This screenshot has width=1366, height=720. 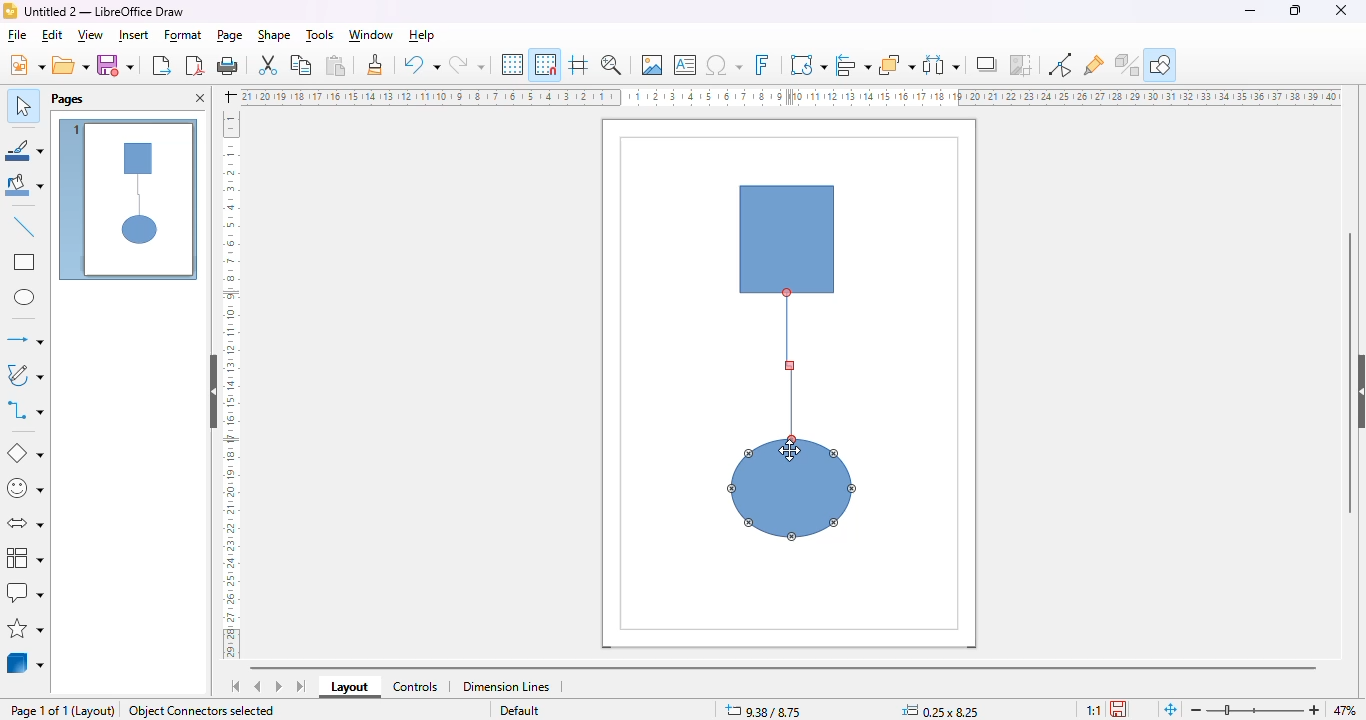 I want to click on dimension lines, so click(x=506, y=686).